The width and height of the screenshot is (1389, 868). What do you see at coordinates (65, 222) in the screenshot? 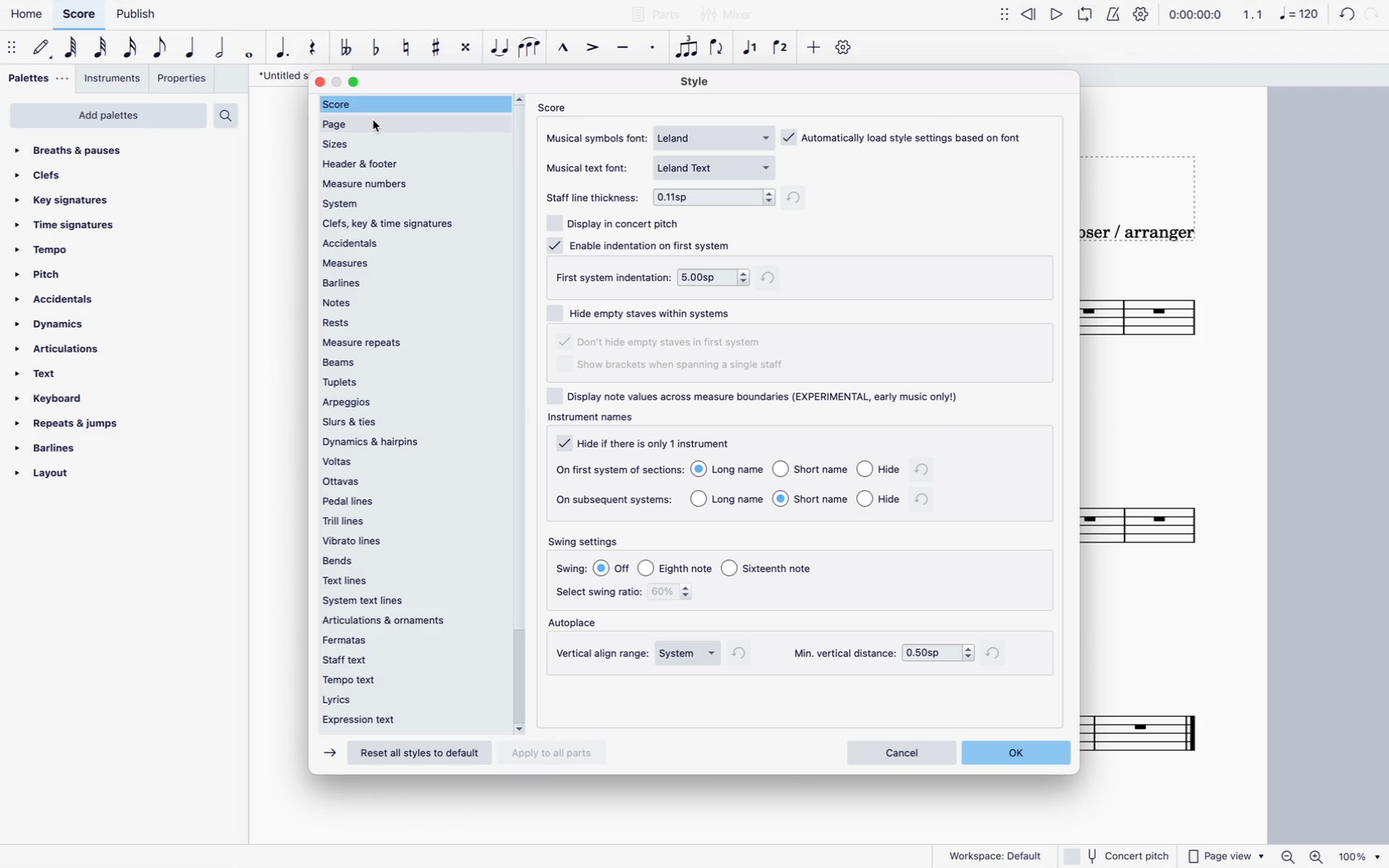
I see `time signatures` at bounding box center [65, 222].